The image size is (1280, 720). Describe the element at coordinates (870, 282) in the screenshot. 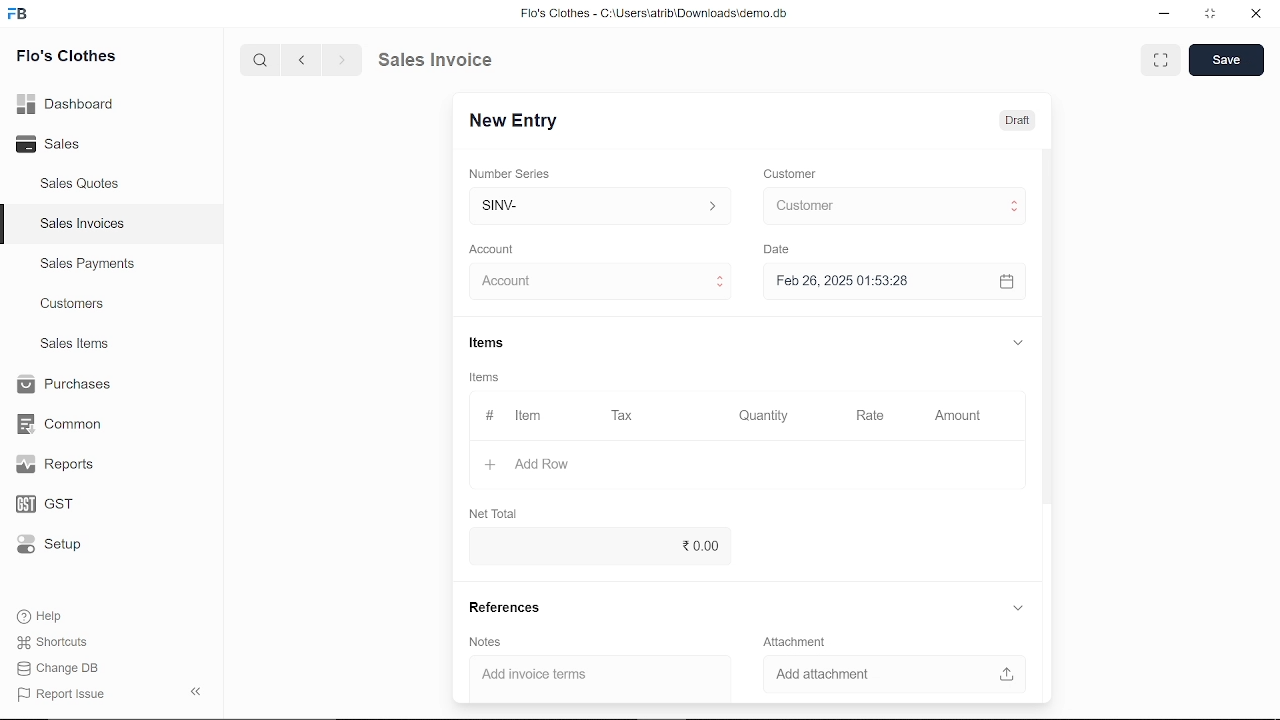

I see `Feb 26, 2025 01:53:28` at that location.